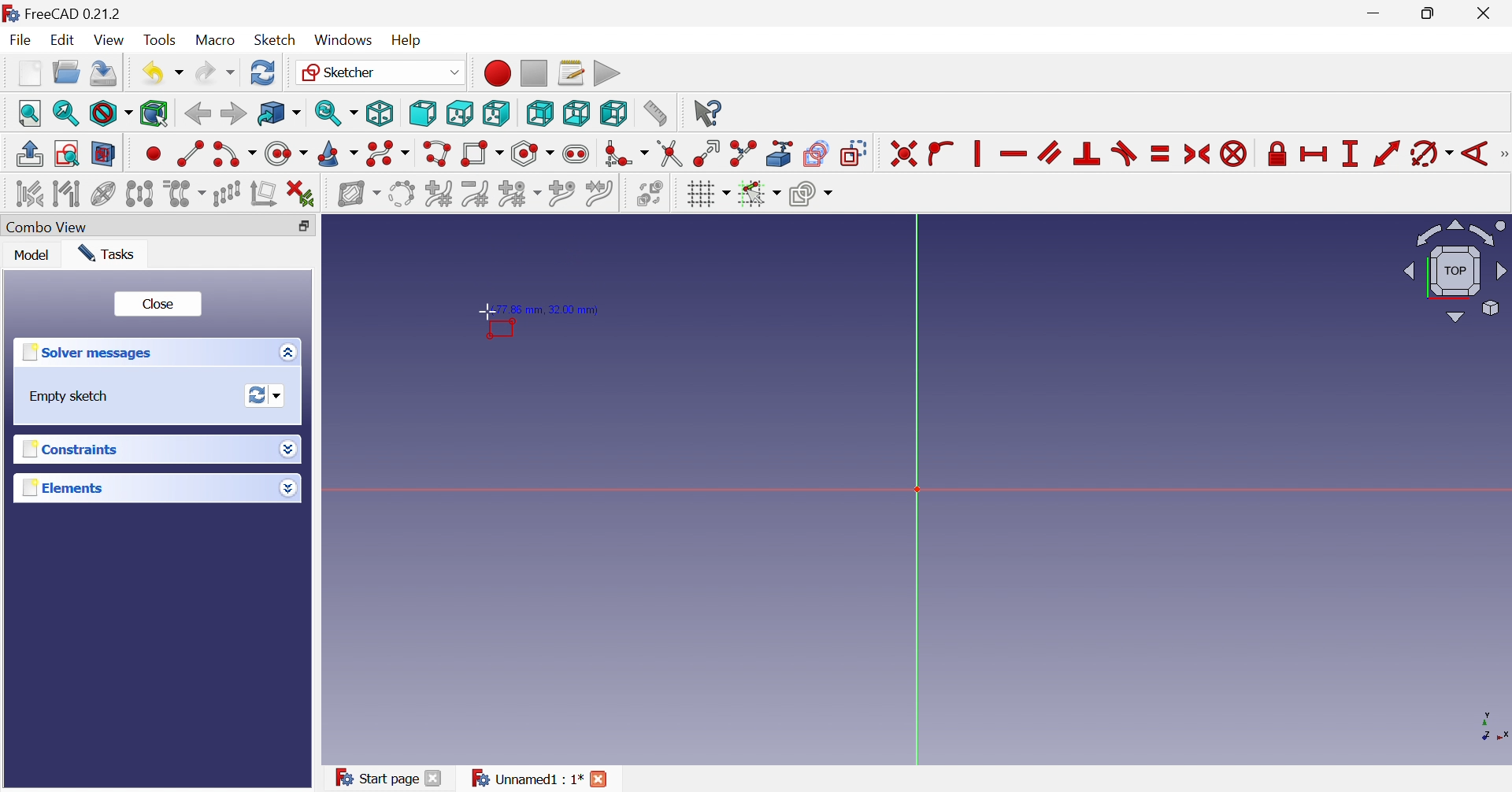 This screenshot has height=792, width=1512. I want to click on Select associated constraints, so click(28, 194).